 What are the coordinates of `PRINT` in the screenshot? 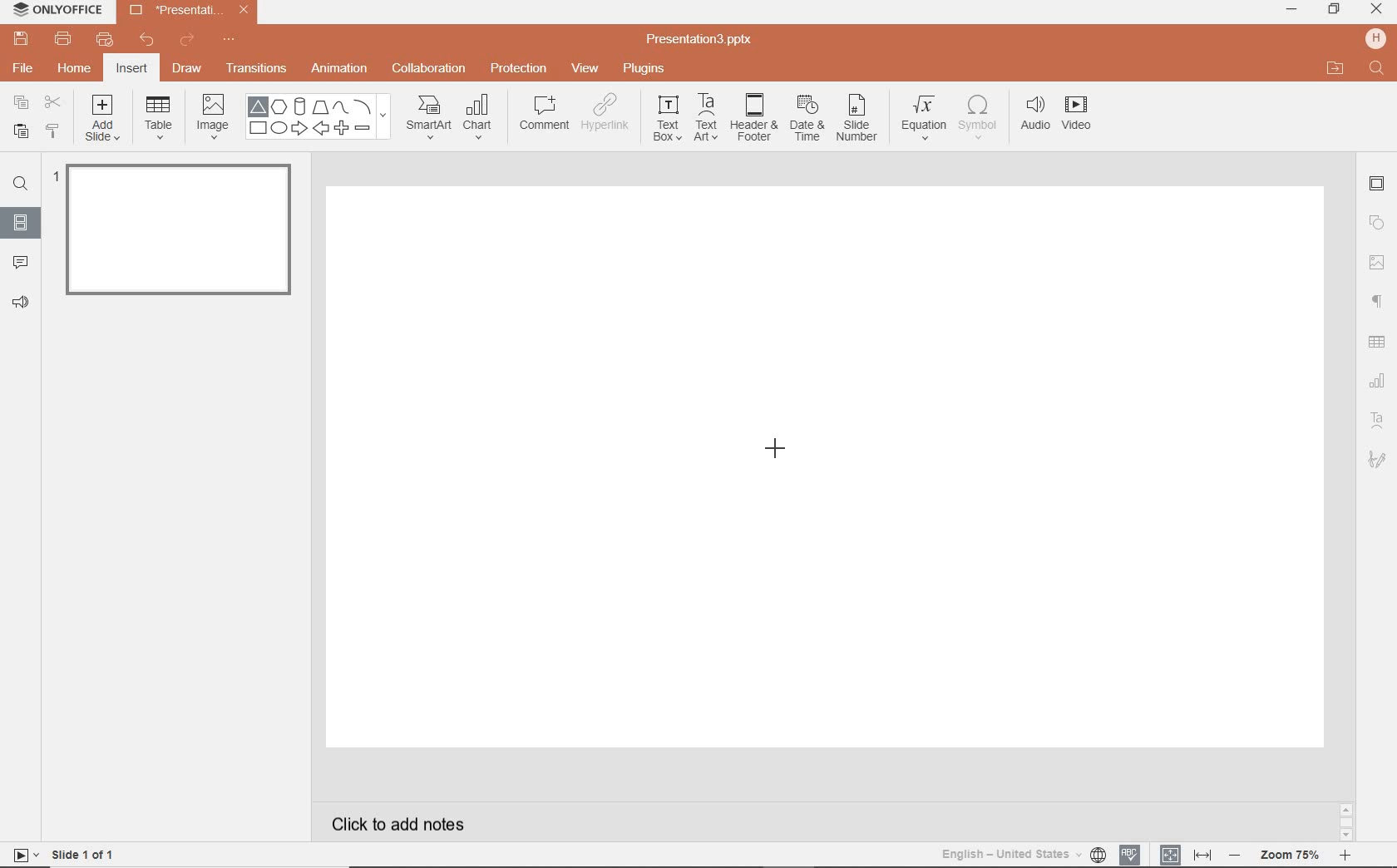 It's located at (62, 40).